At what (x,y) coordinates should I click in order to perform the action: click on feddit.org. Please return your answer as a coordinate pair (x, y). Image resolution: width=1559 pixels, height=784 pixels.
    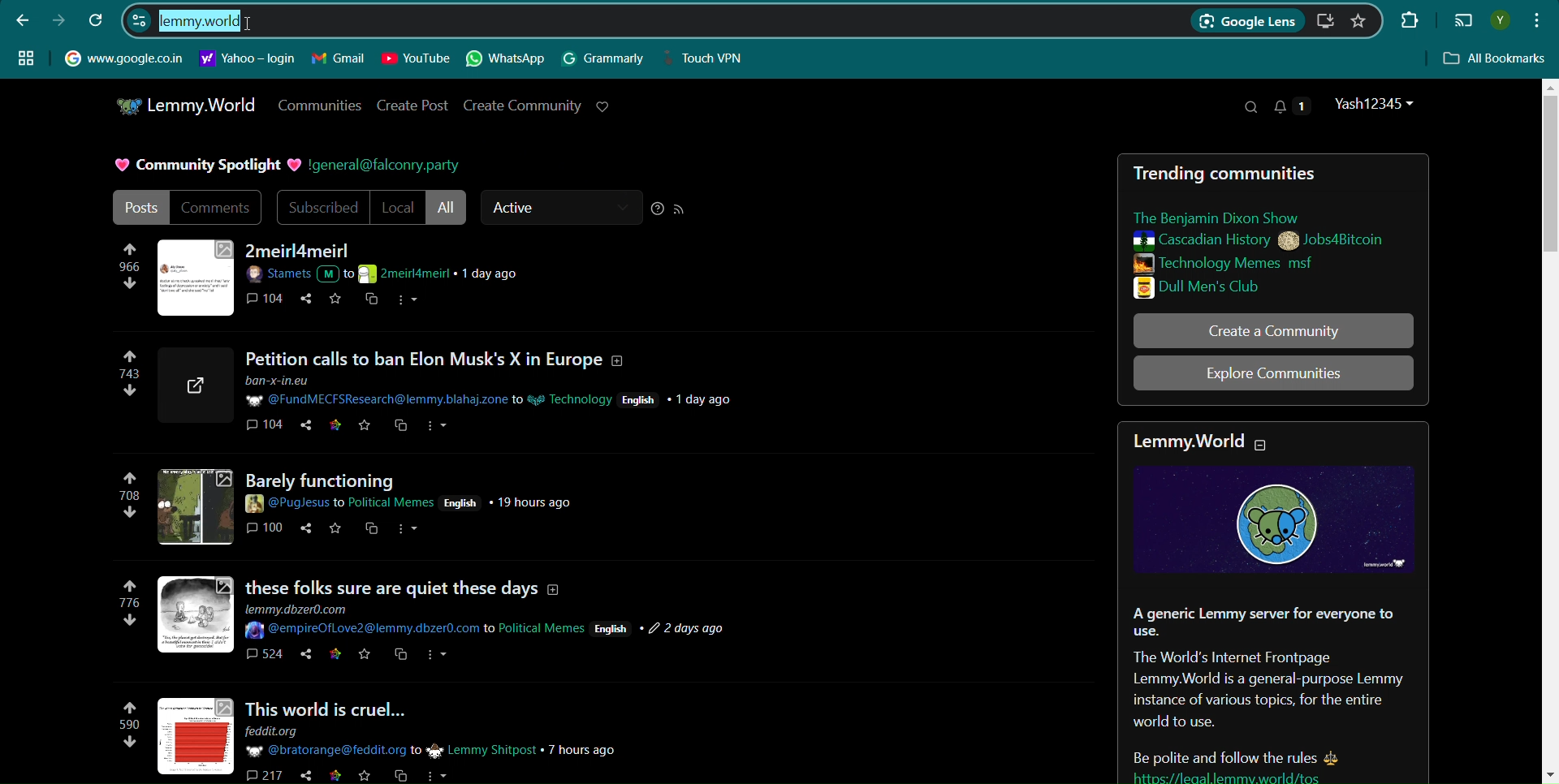
    Looking at the image, I should click on (283, 731).